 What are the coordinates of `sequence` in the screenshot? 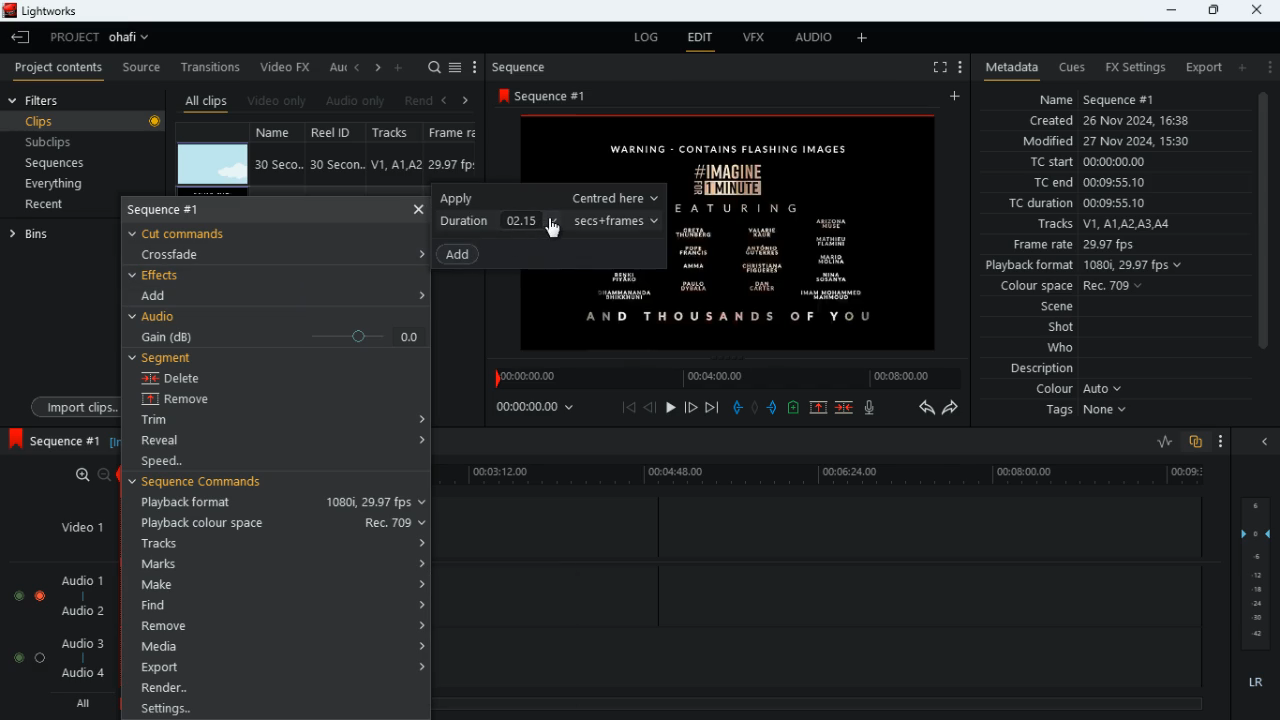 It's located at (181, 211).